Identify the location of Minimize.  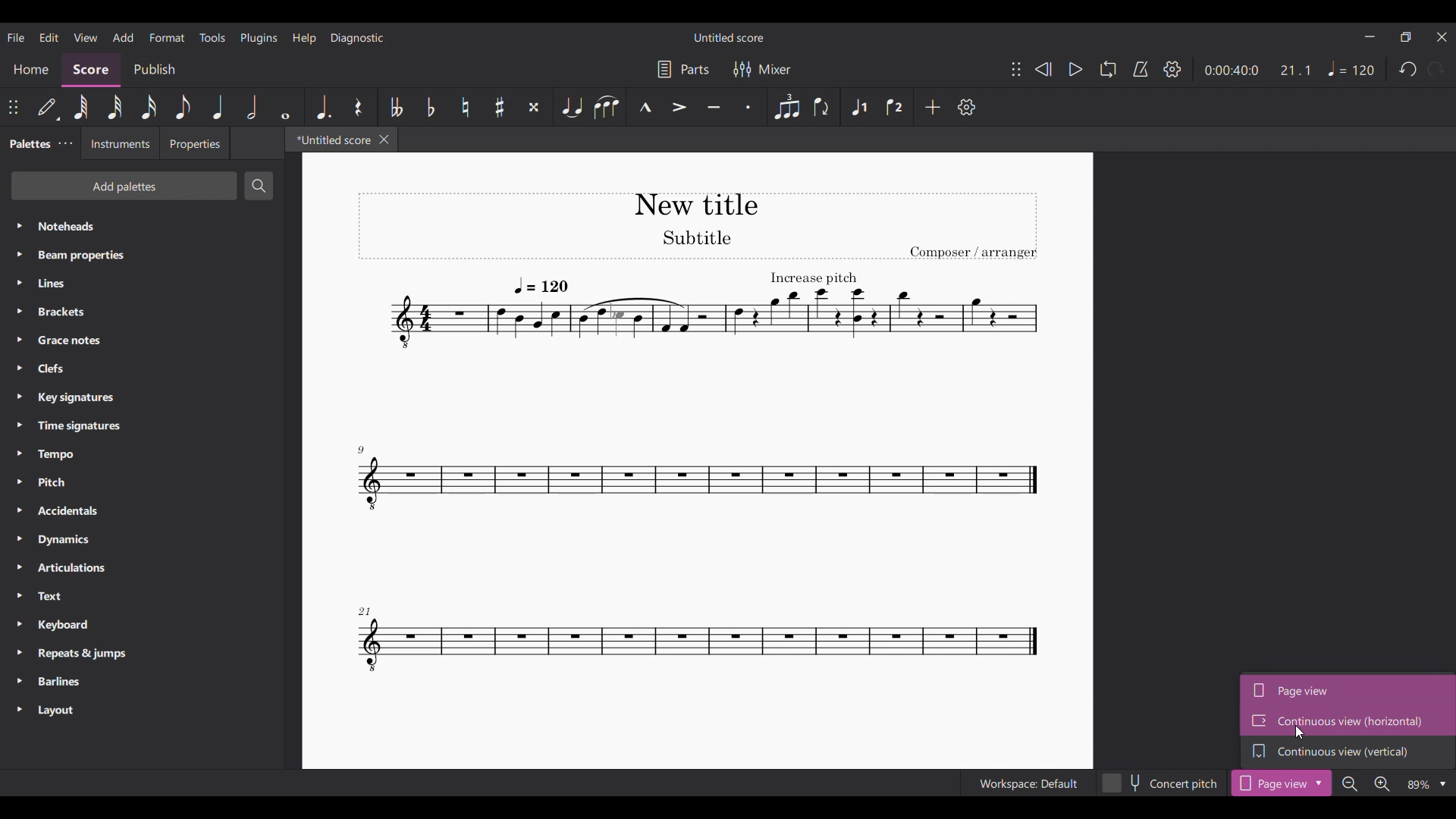
(1370, 36).